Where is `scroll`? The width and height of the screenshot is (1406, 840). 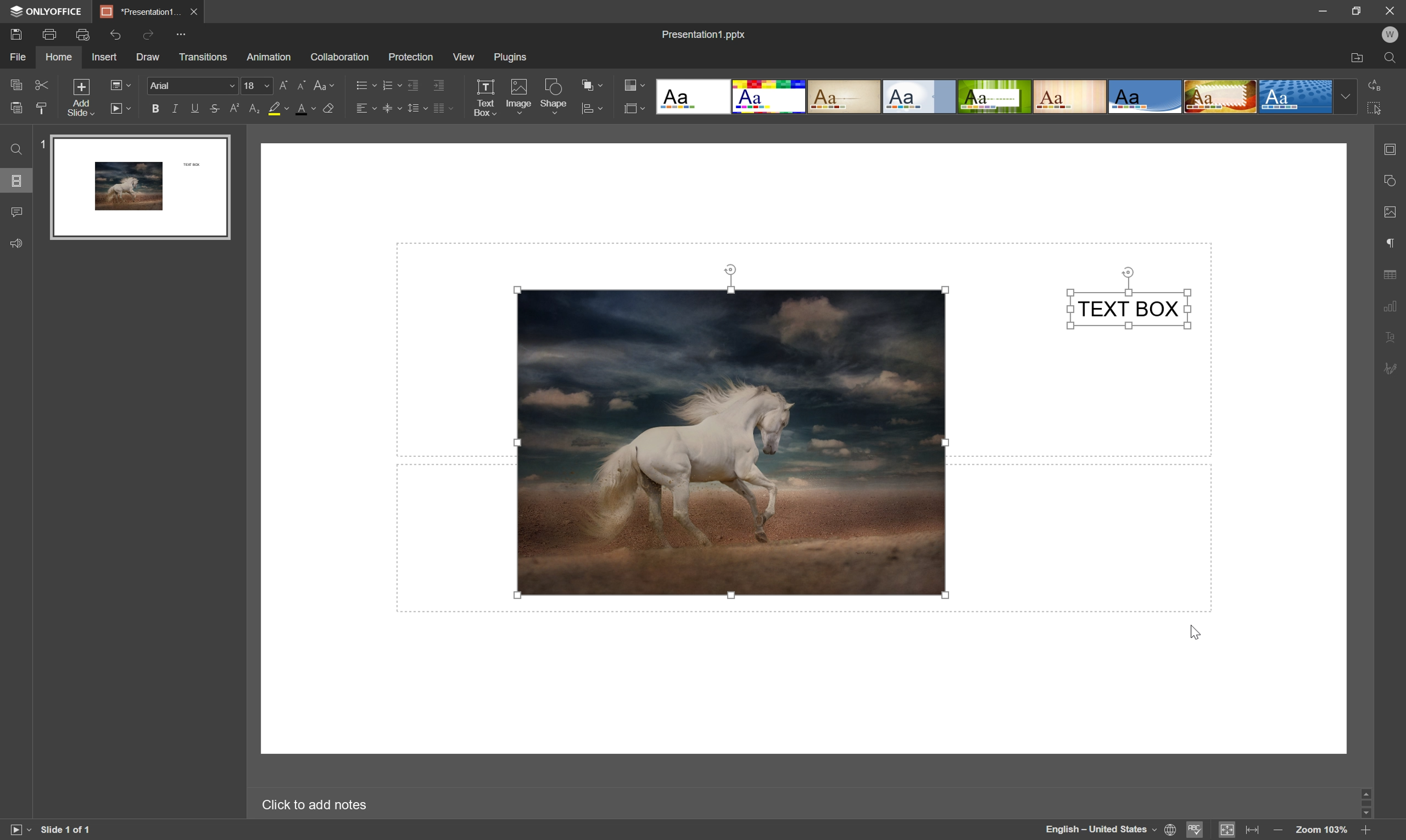 scroll is located at coordinates (1366, 804).